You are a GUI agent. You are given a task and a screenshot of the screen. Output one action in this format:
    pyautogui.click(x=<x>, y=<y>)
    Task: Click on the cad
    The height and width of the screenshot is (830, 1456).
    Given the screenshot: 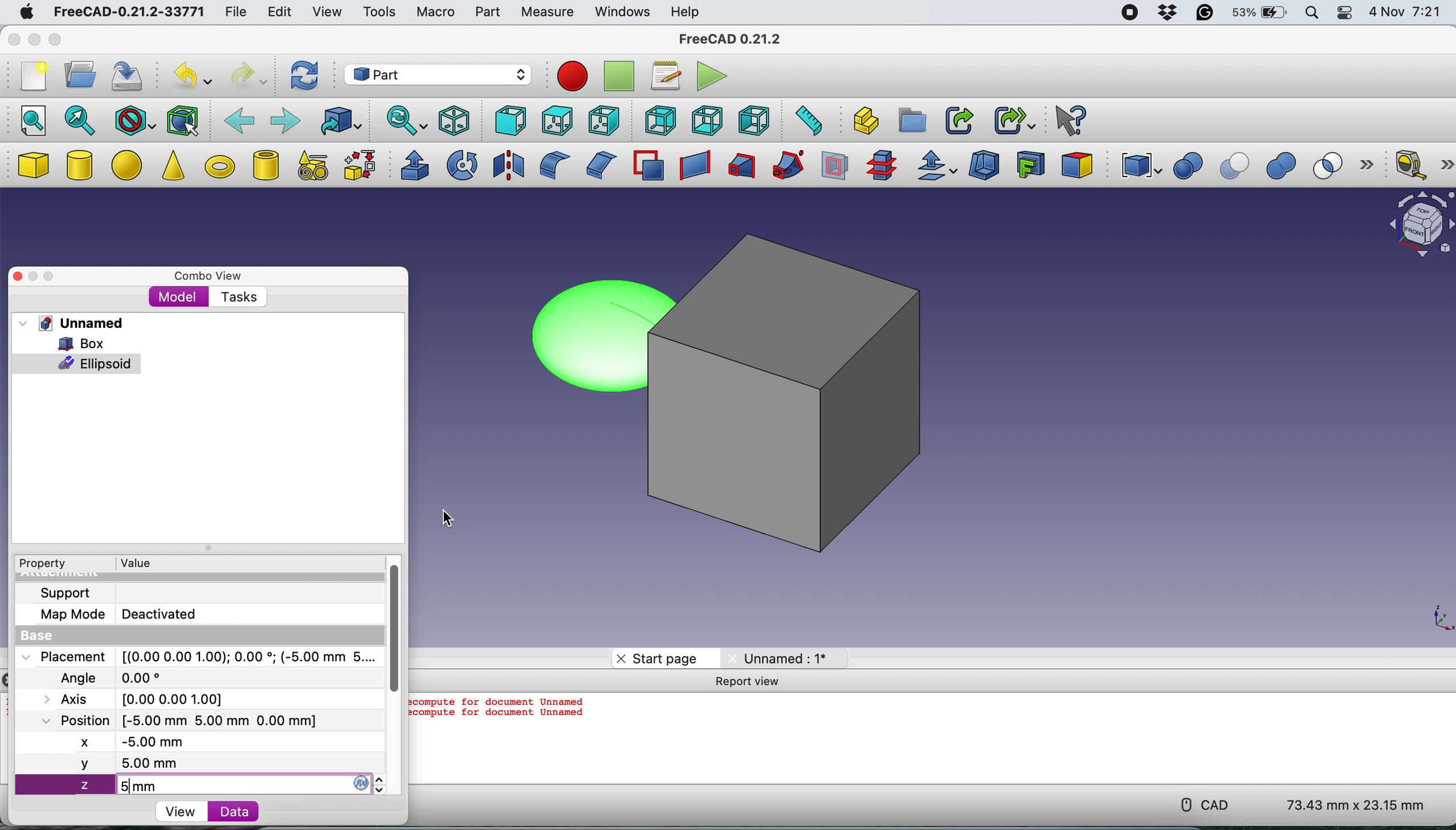 What is the action you would take?
    pyautogui.click(x=1200, y=805)
    